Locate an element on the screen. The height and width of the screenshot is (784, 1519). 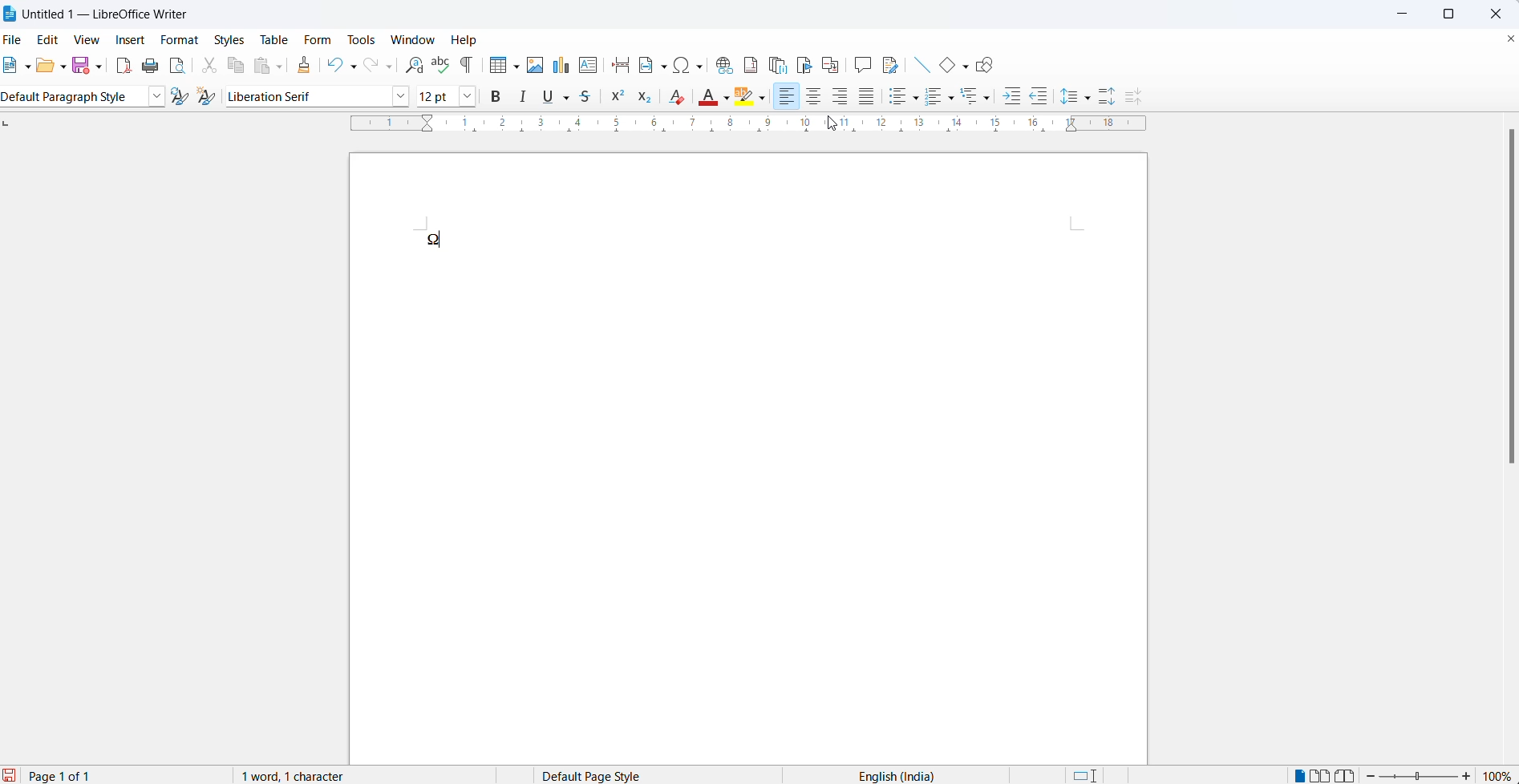
undo is located at coordinates (331, 64).